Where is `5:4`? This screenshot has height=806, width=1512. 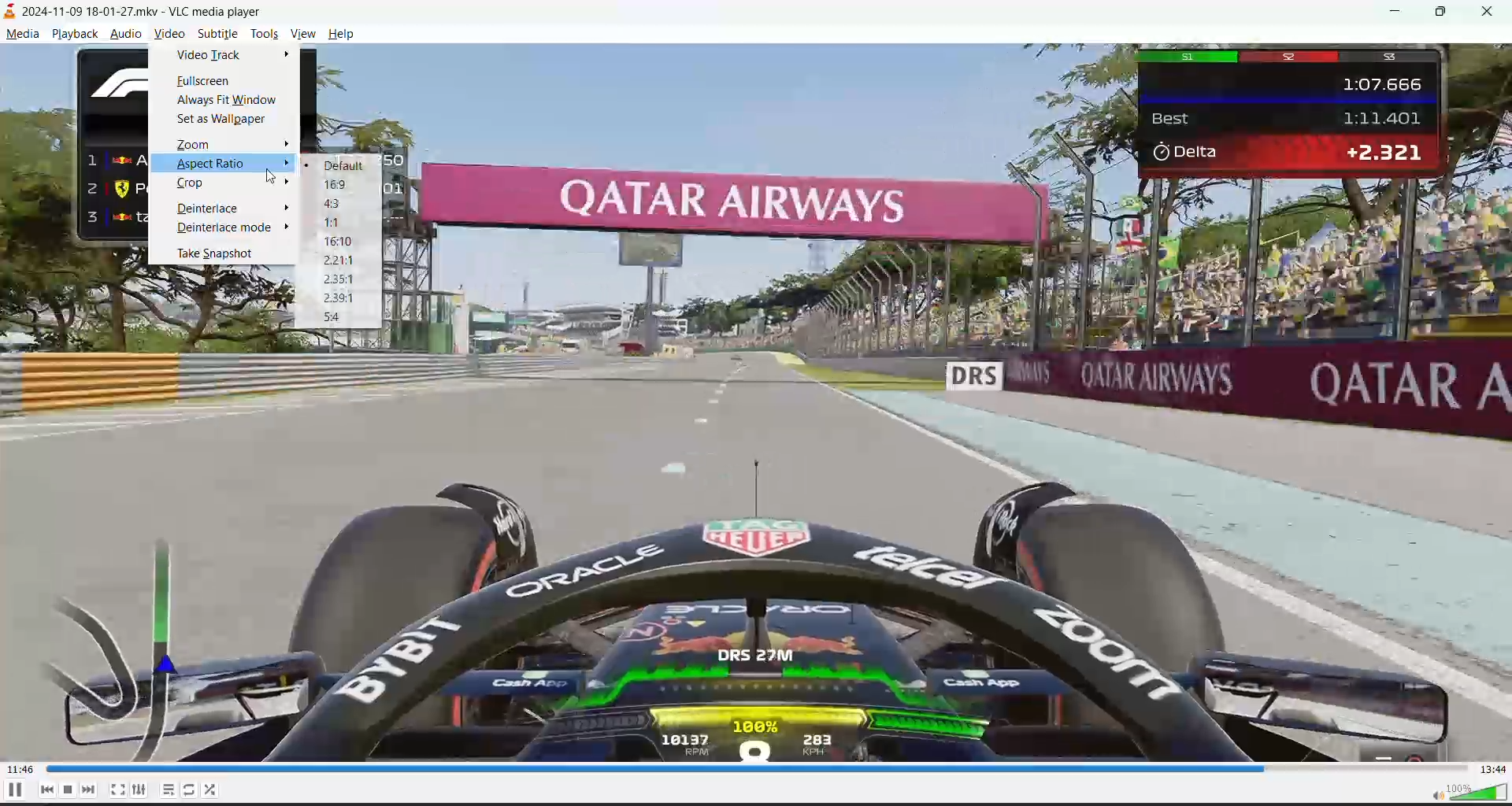 5:4 is located at coordinates (335, 315).